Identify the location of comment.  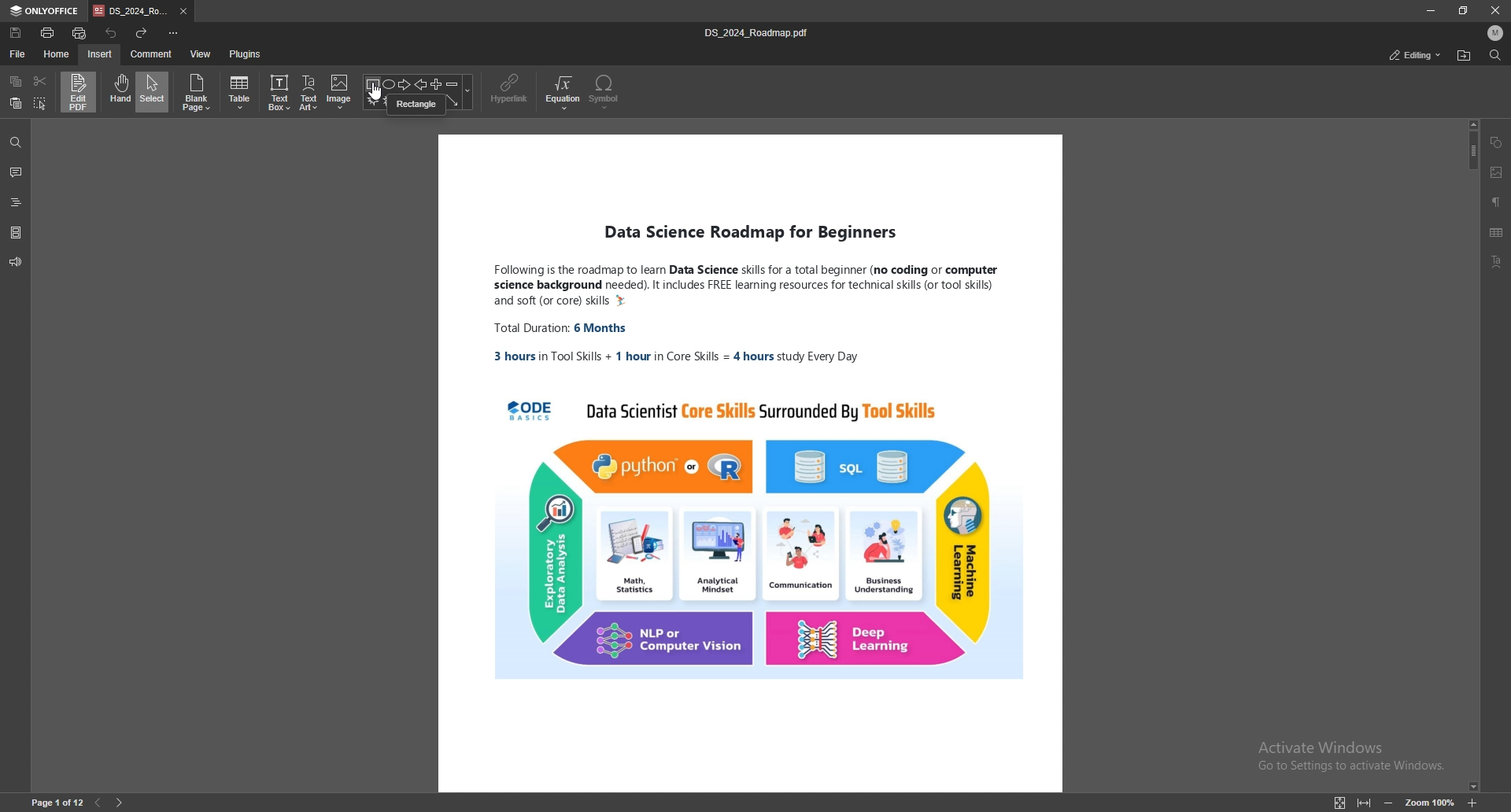
(153, 54).